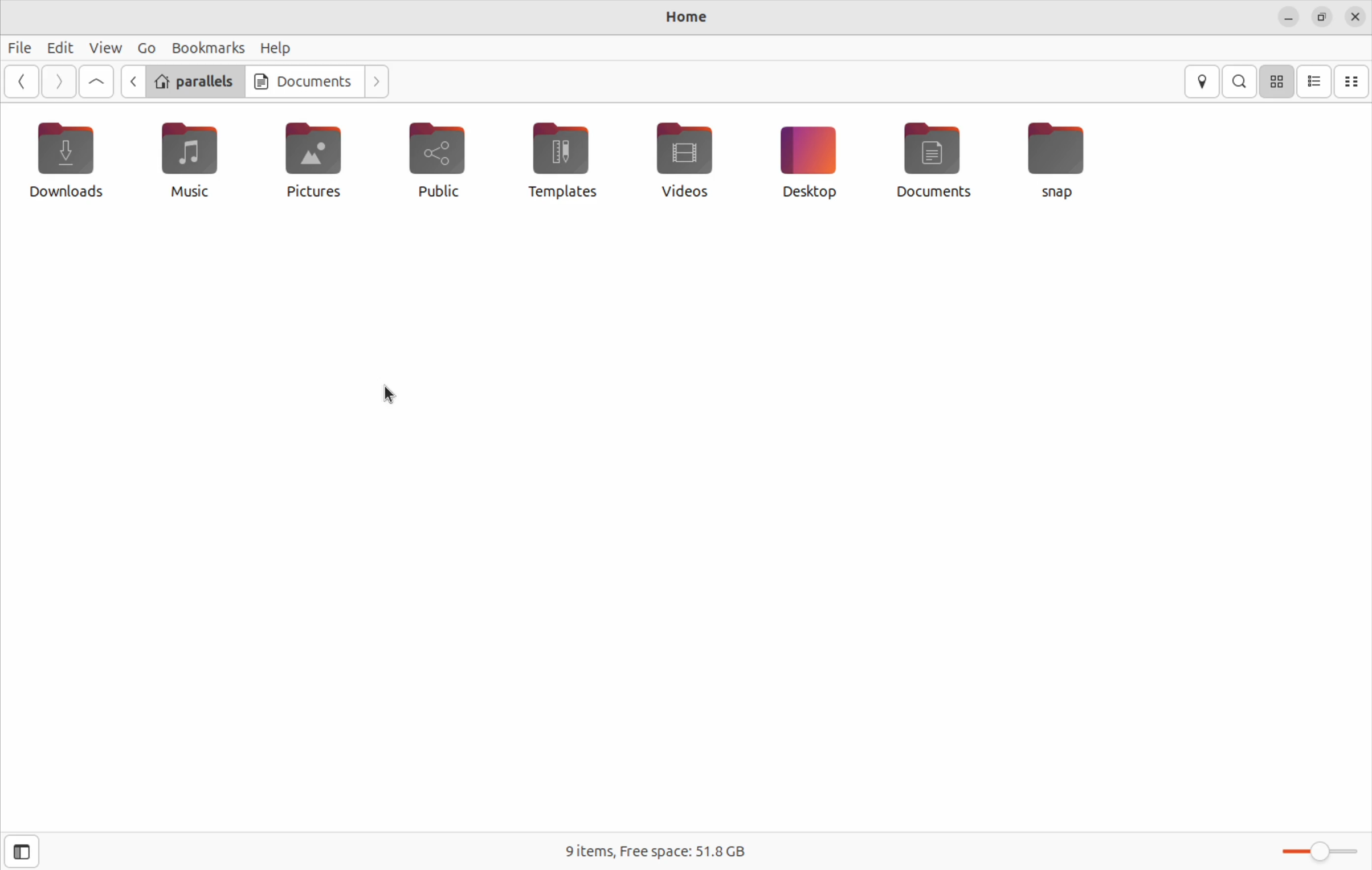 Image resolution: width=1372 pixels, height=870 pixels. I want to click on close files, so click(1354, 18).